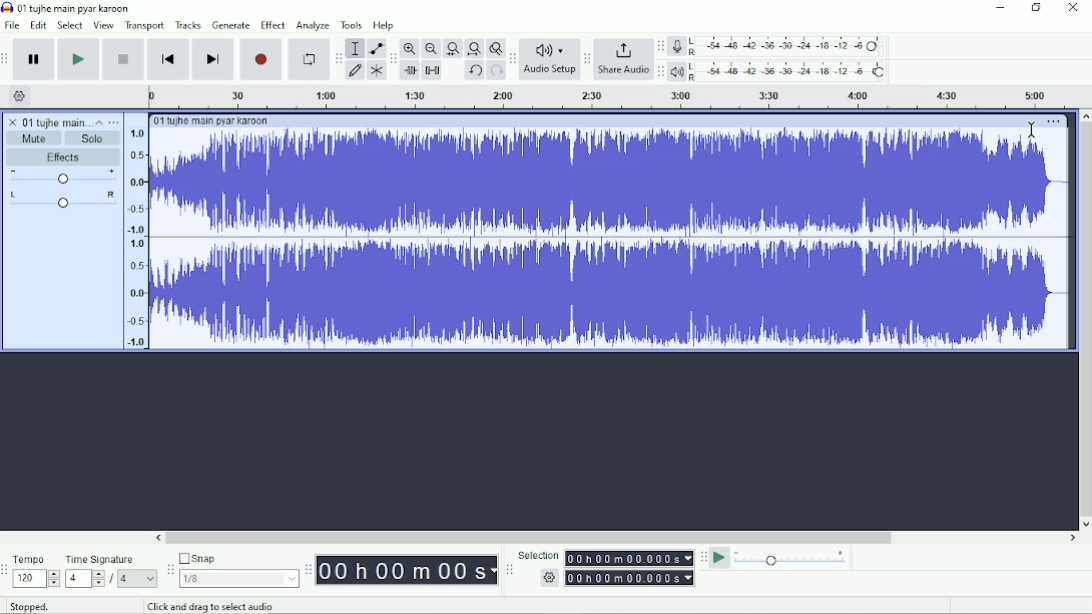 The width and height of the screenshot is (1092, 614). I want to click on Close, so click(1074, 7).